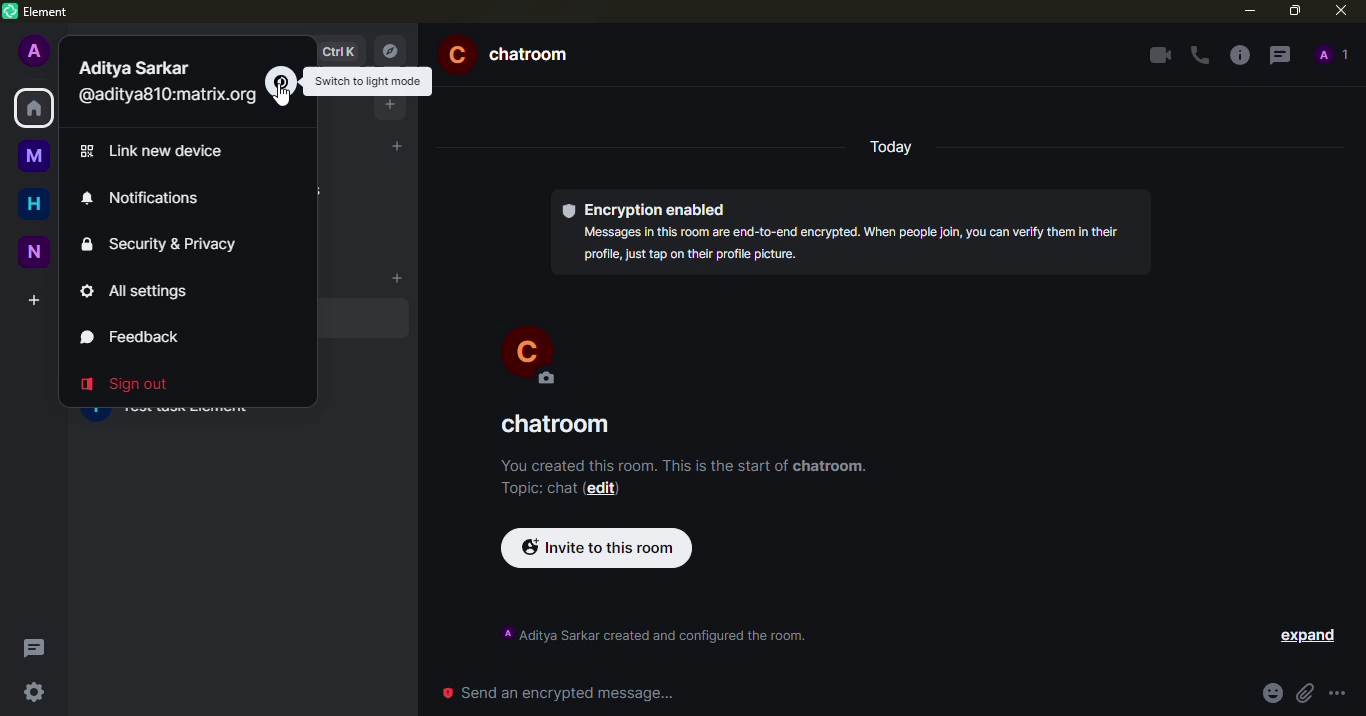 The width and height of the screenshot is (1366, 716). I want to click on add room, so click(396, 276).